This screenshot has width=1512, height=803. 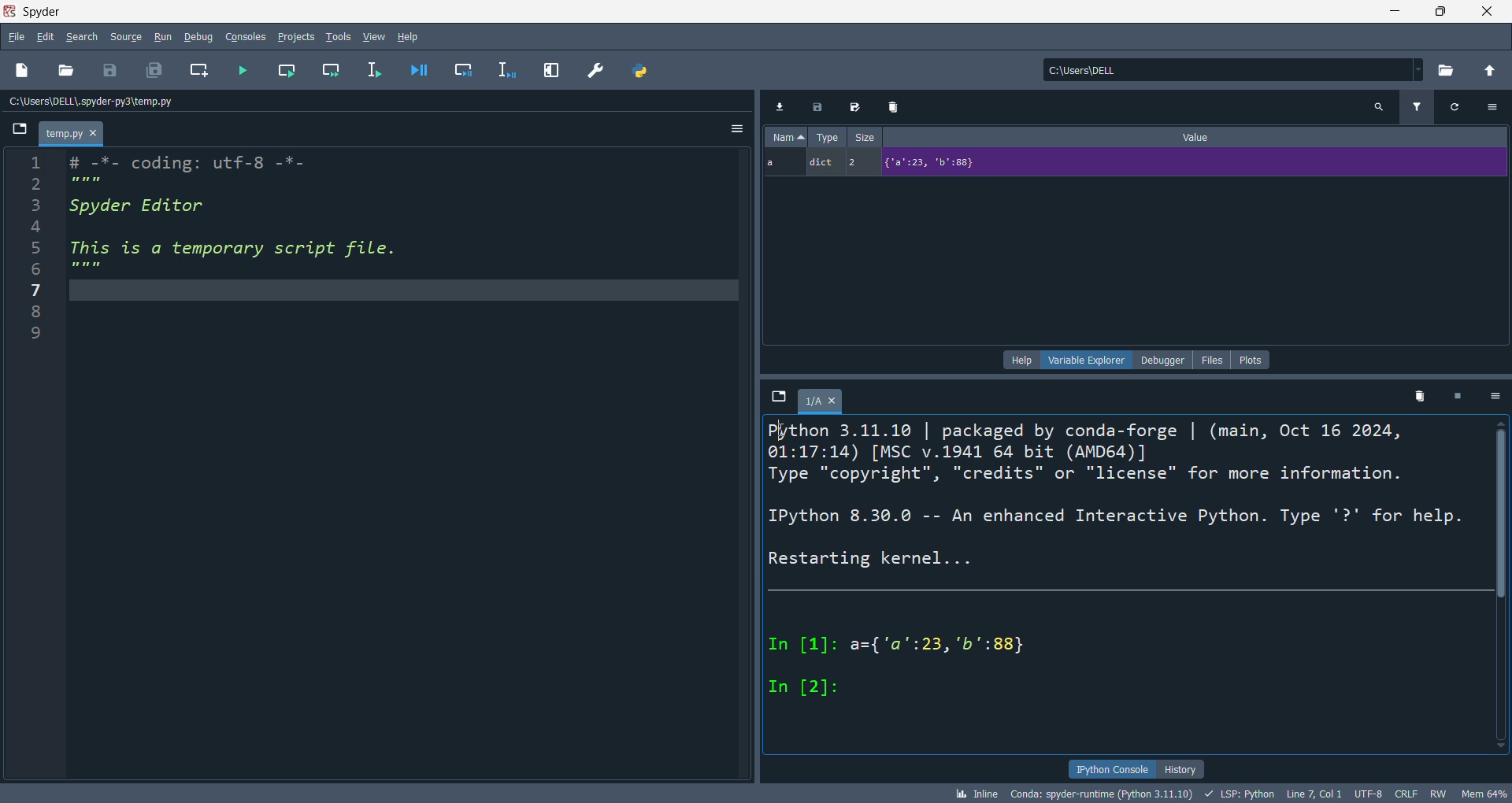 What do you see at coordinates (1498, 397) in the screenshot?
I see `options` at bounding box center [1498, 397].